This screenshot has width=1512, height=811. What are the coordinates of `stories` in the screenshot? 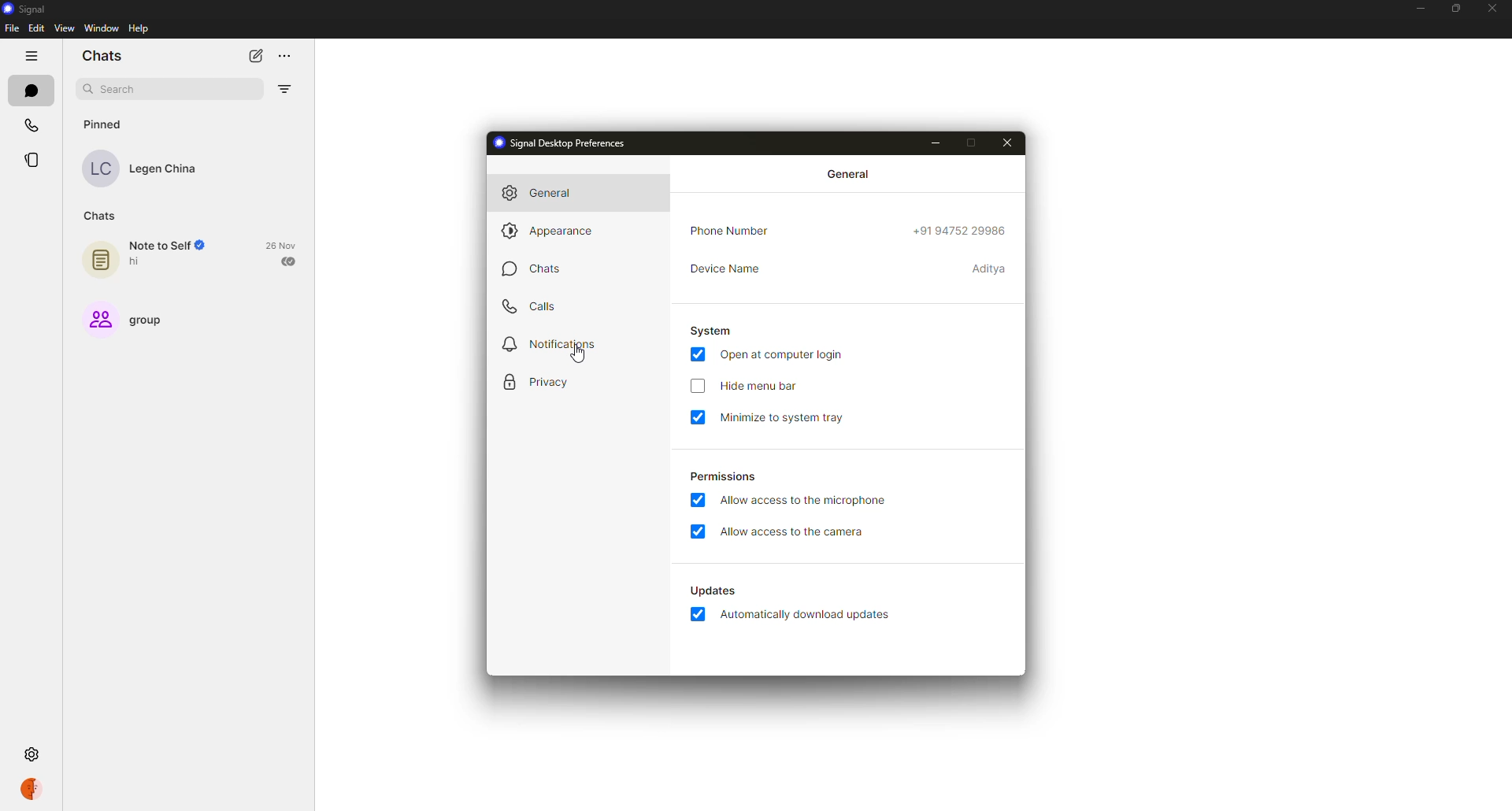 It's located at (33, 160).